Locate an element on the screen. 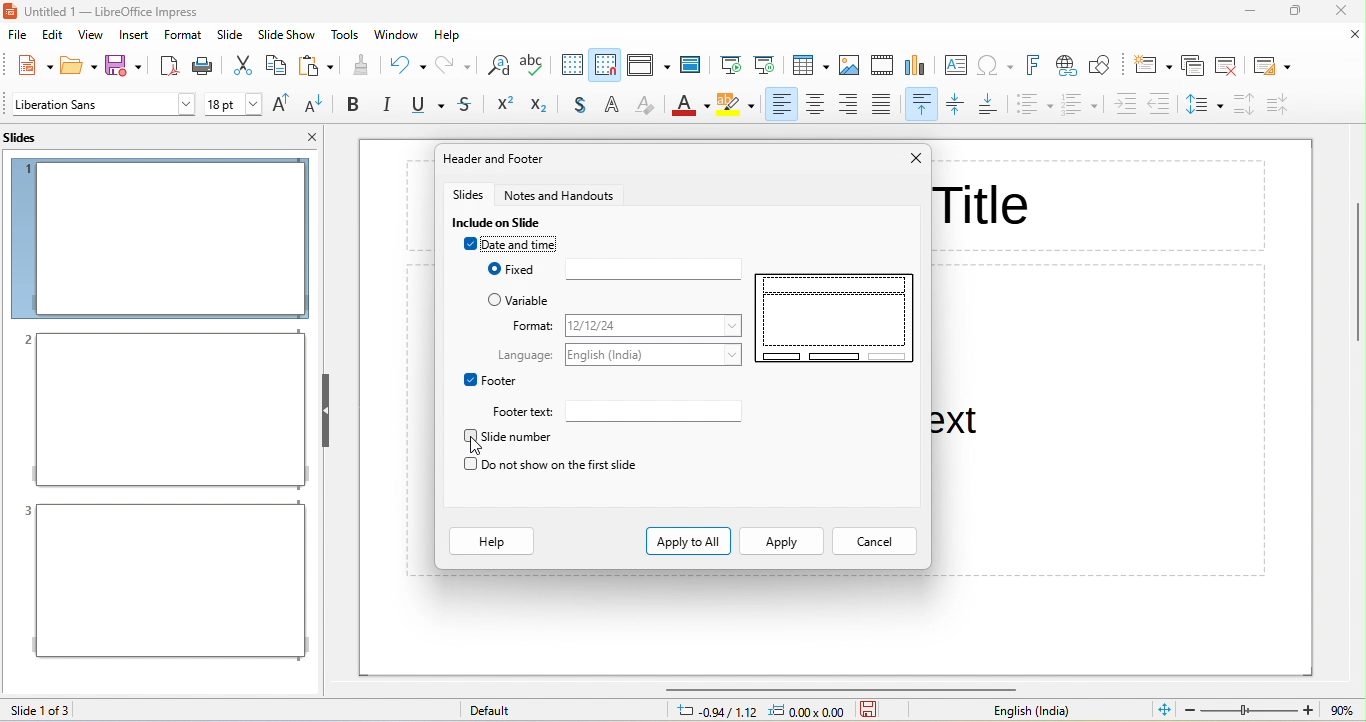 This screenshot has height=722, width=1366. tools is located at coordinates (346, 34).